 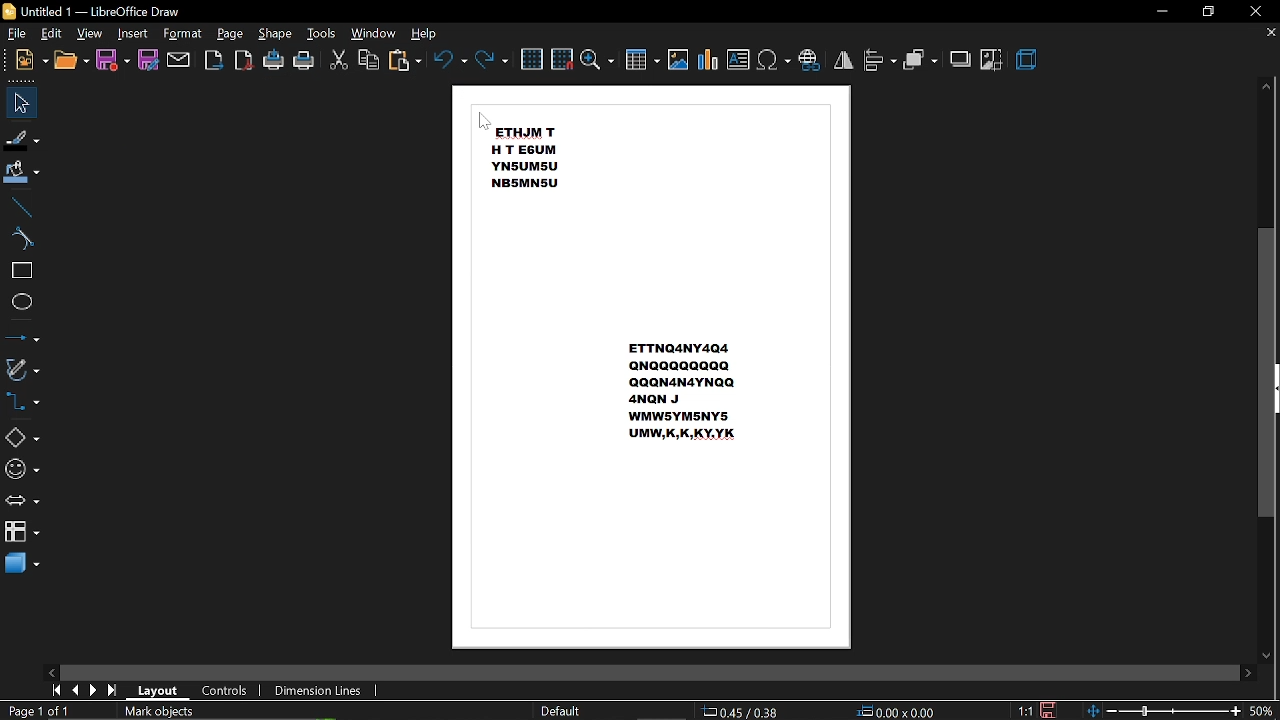 I want to click on close, so click(x=1258, y=11).